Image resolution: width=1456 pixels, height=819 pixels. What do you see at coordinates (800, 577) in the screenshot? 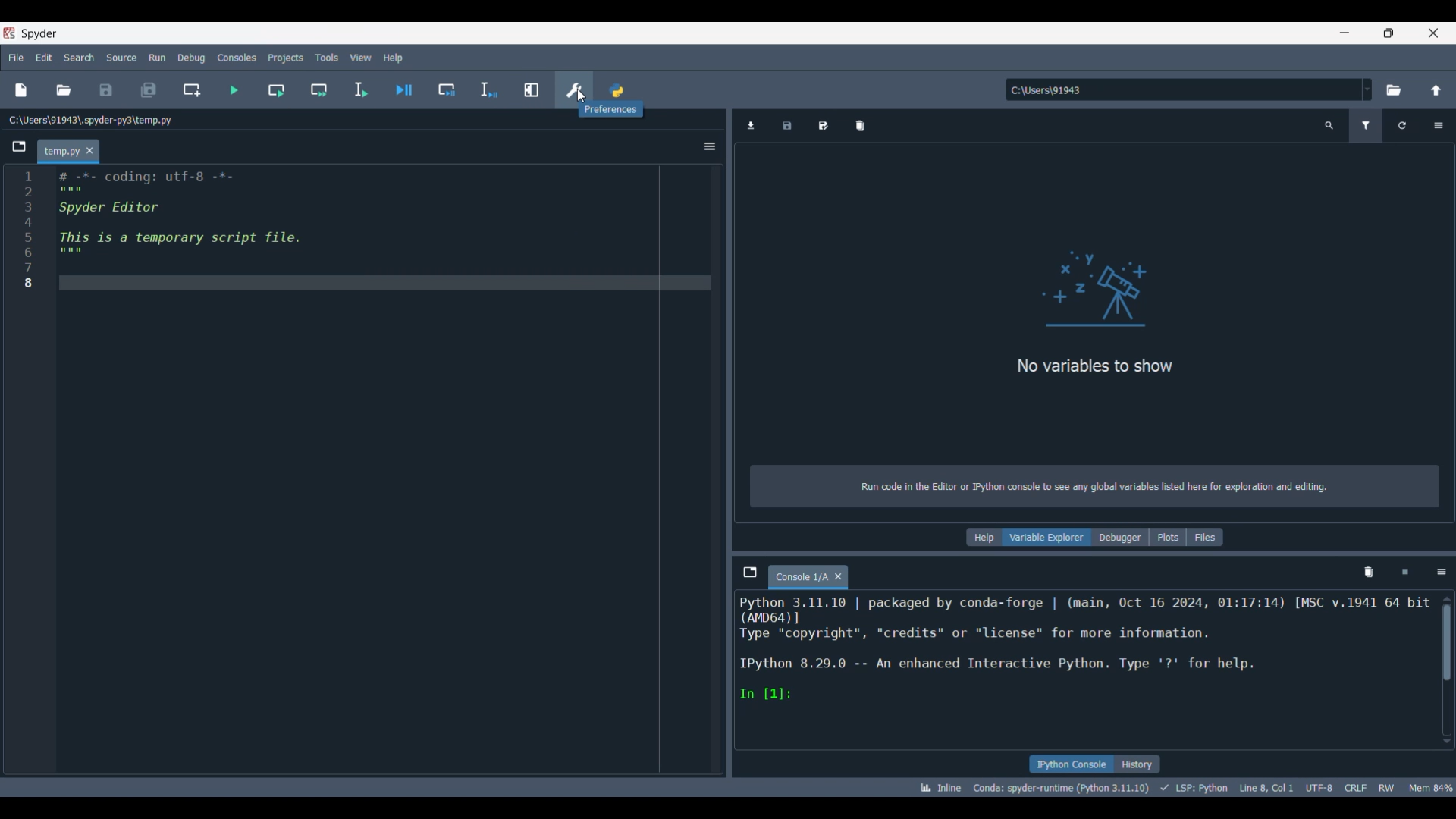
I see `Current tab` at bounding box center [800, 577].